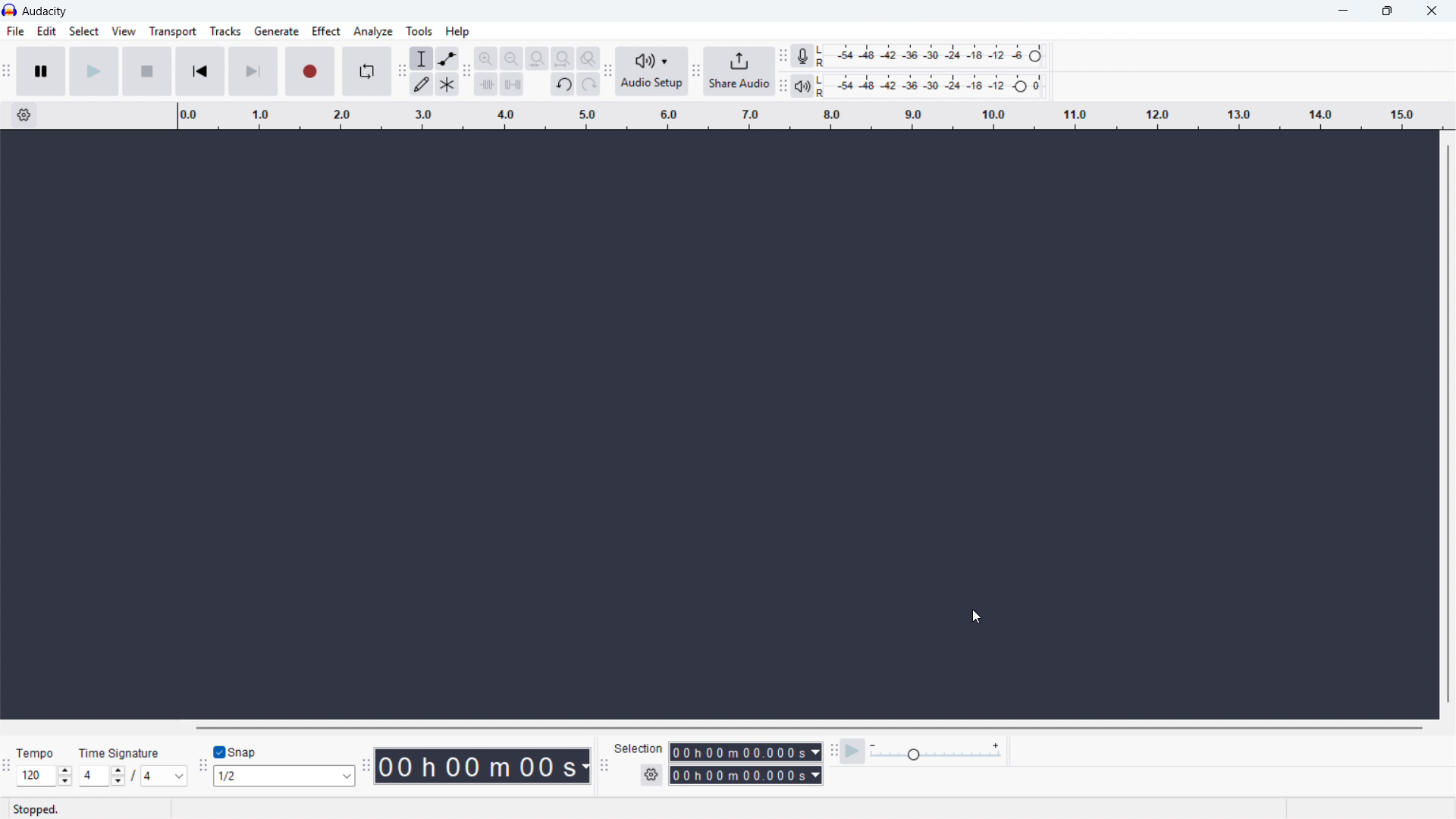  I want to click on edit, so click(48, 32).